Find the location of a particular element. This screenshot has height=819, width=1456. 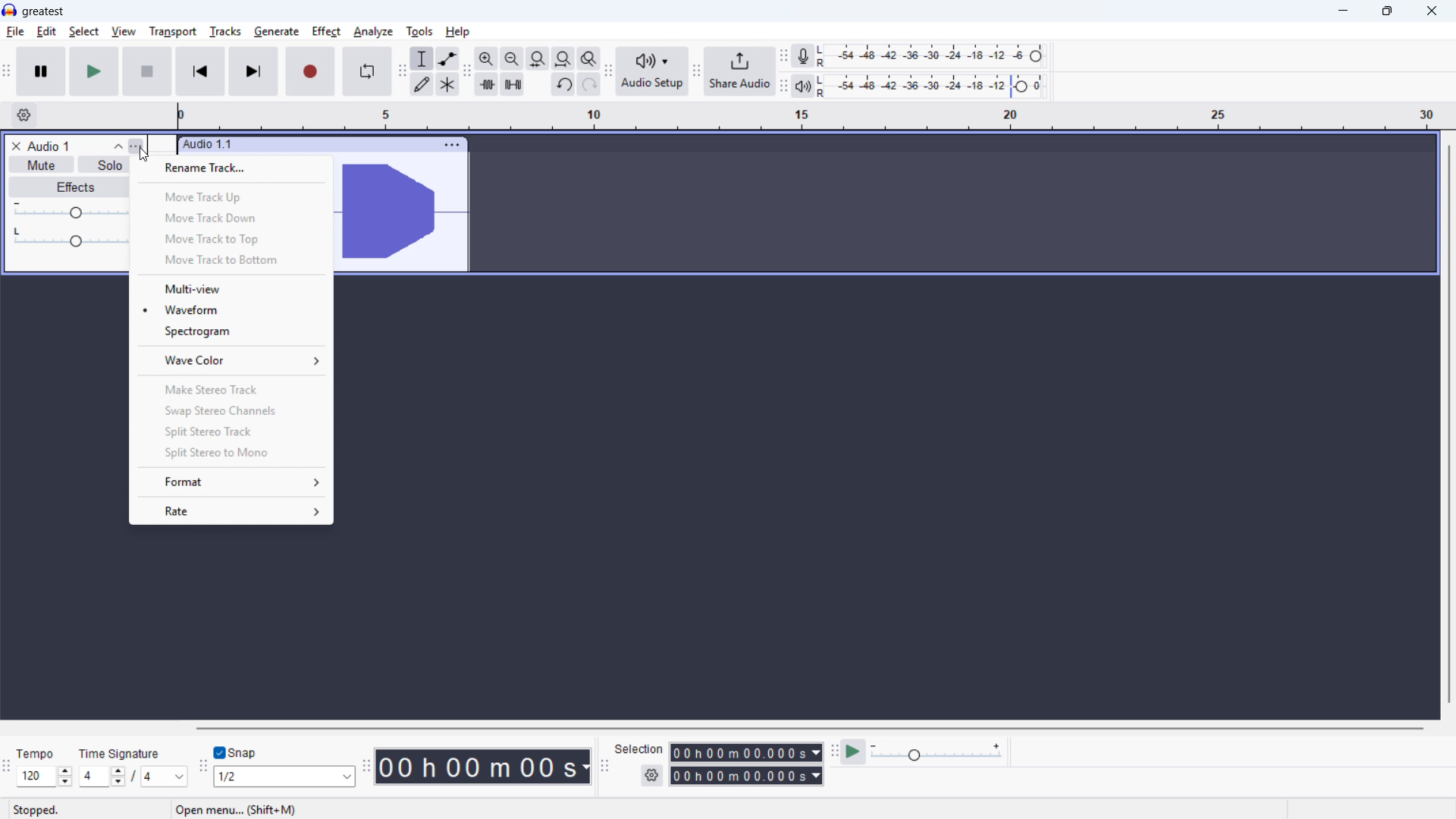

playback meter toolbar is located at coordinates (783, 87).